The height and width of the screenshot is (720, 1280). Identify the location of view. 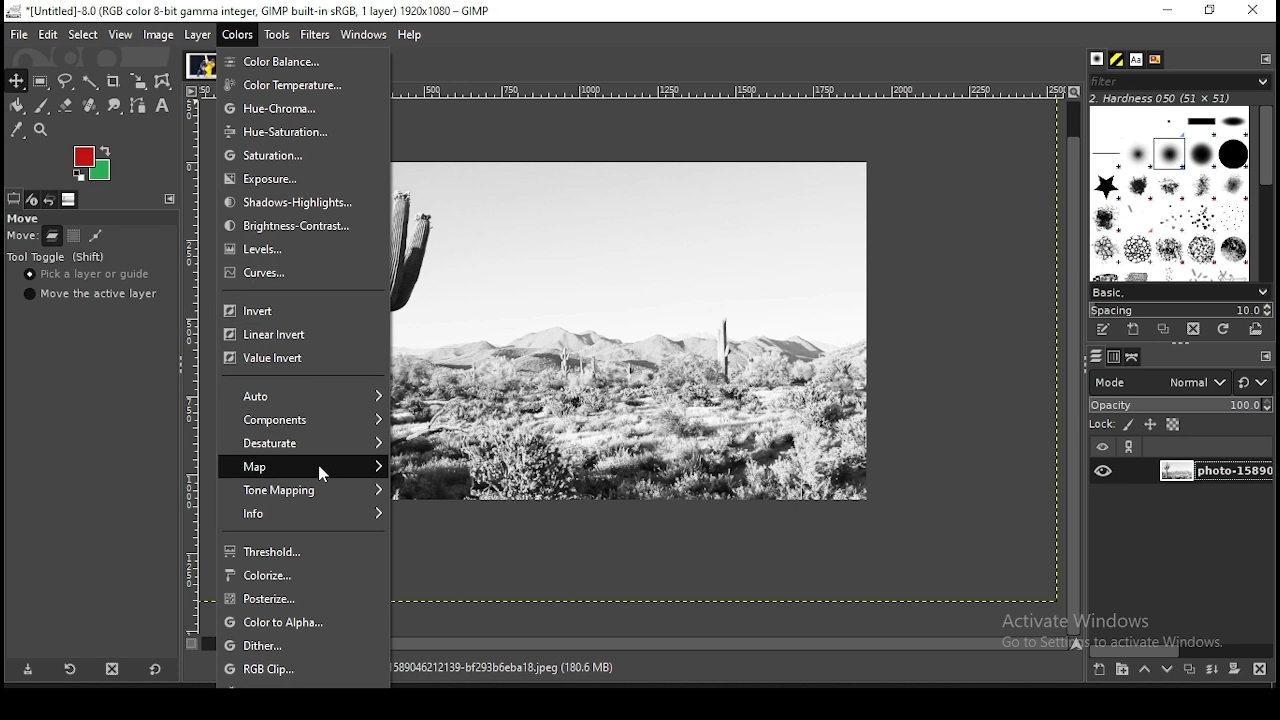
(122, 35).